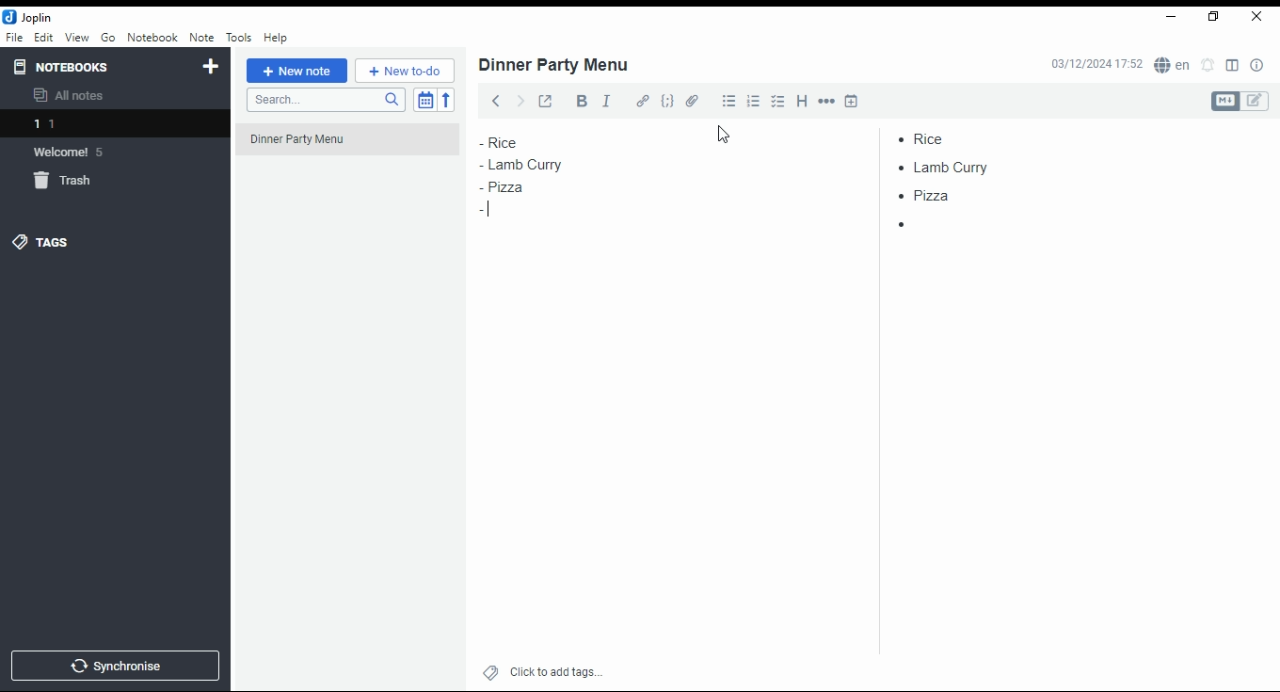 The width and height of the screenshot is (1280, 692). What do you see at coordinates (1172, 17) in the screenshot?
I see `minimize` at bounding box center [1172, 17].